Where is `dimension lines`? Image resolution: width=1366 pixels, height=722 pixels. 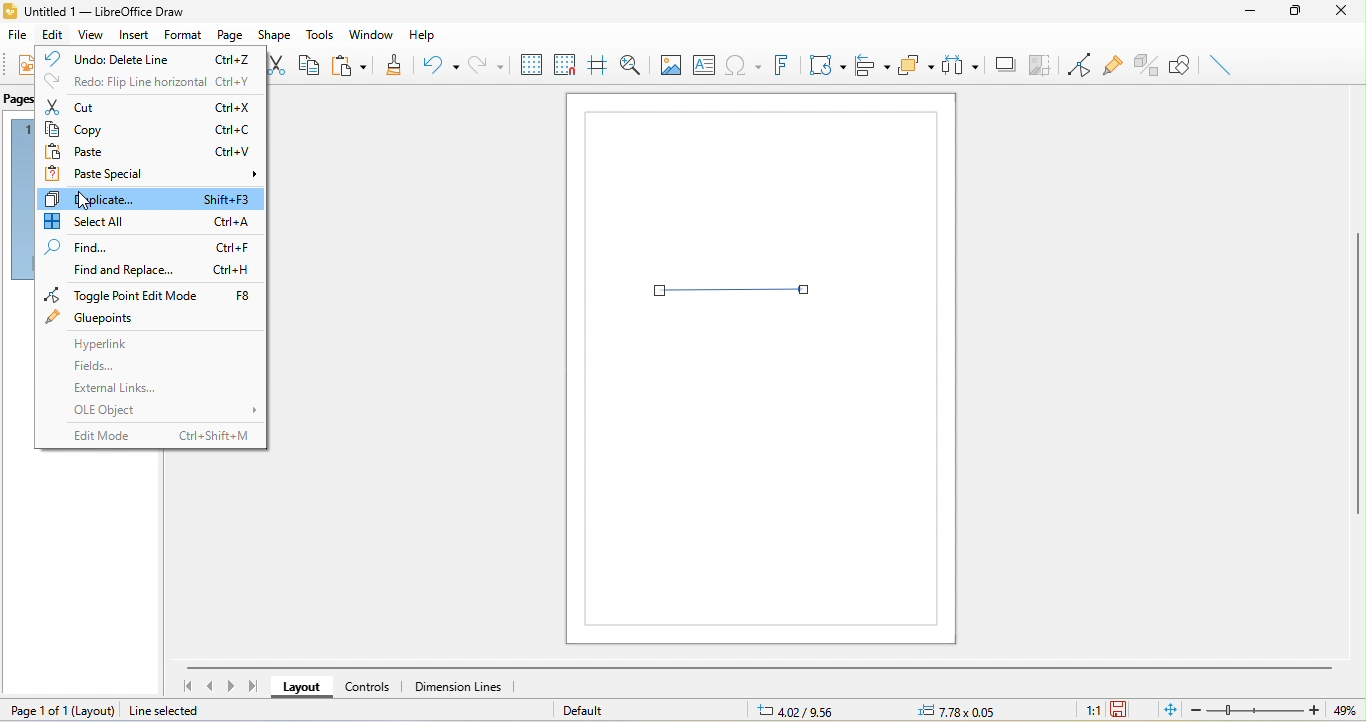
dimension lines is located at coordinates (467, 687).